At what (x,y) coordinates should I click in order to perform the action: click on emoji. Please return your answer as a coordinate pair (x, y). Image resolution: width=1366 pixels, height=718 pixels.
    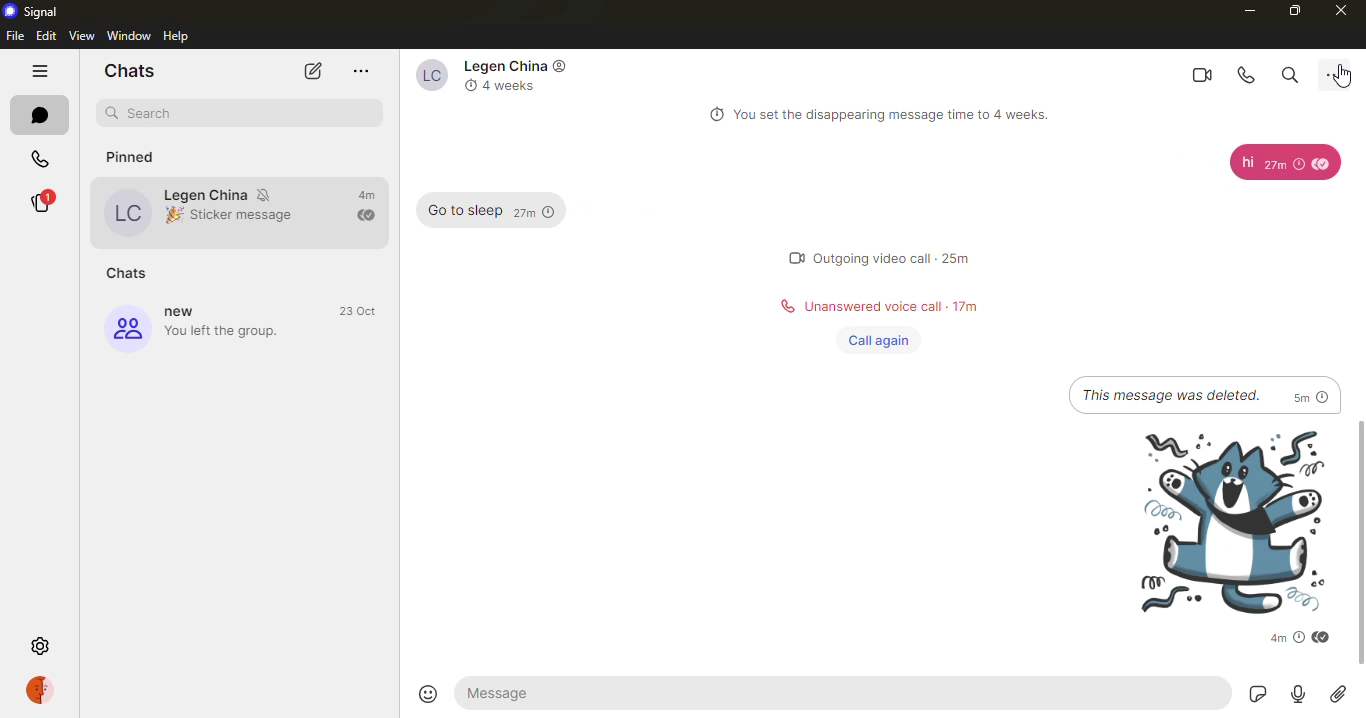
    Looking at the image, I should click on (172, 216).